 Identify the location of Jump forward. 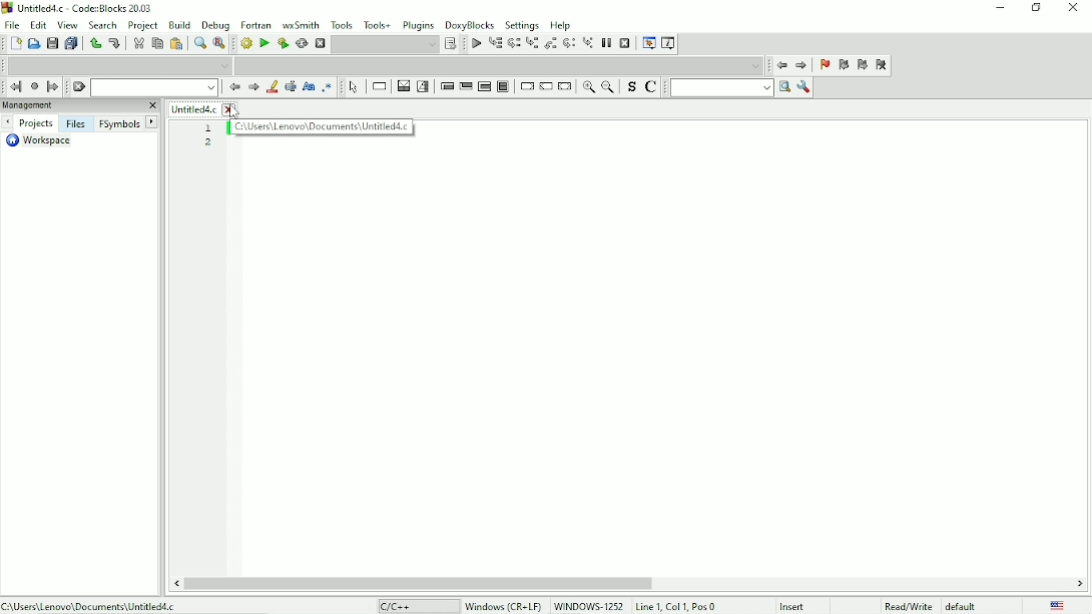
(802, 65).